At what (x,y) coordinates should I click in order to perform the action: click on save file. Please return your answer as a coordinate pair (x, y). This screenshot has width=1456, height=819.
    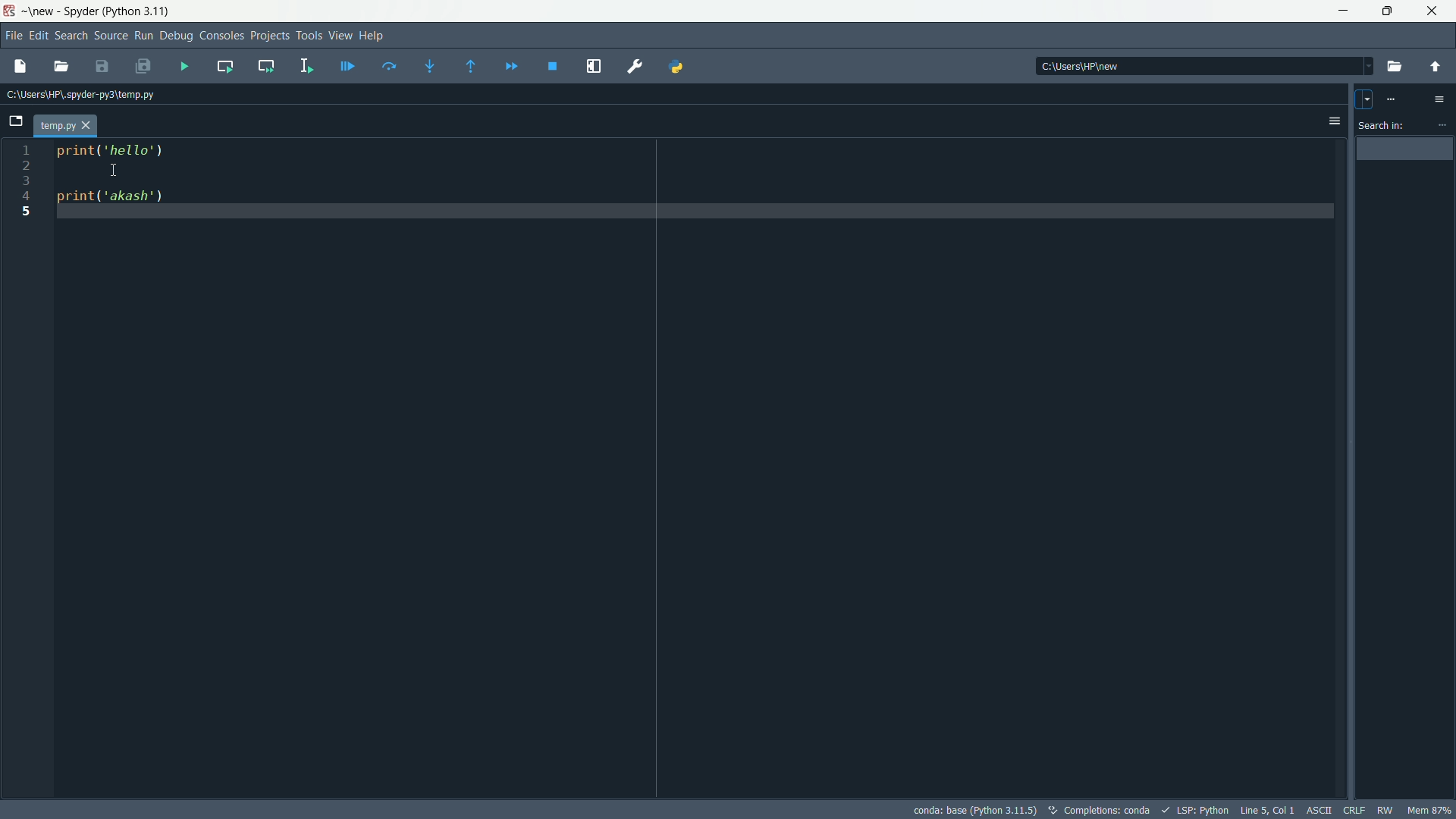
    Looking at the image, I should click on (102, 67).